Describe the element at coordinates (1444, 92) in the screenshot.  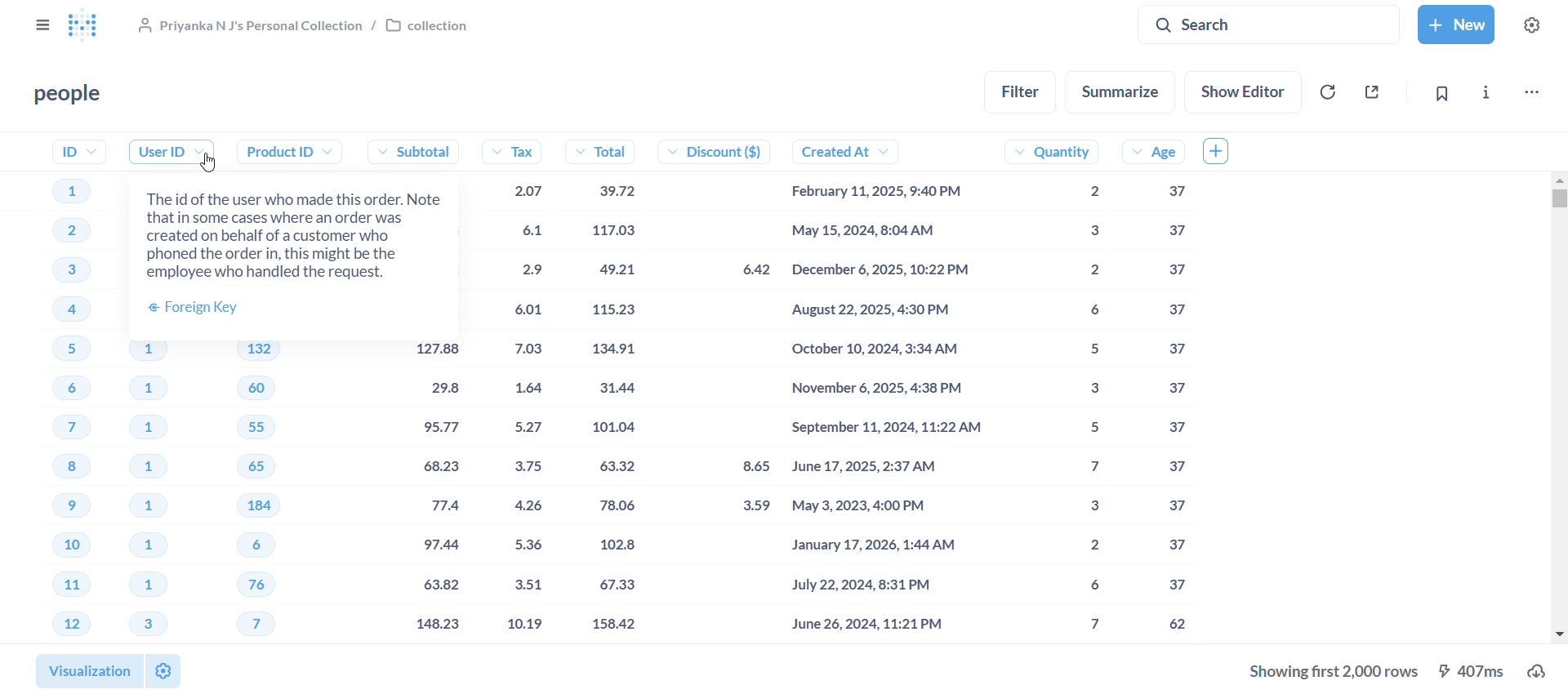
I see `bookmark` at that location.